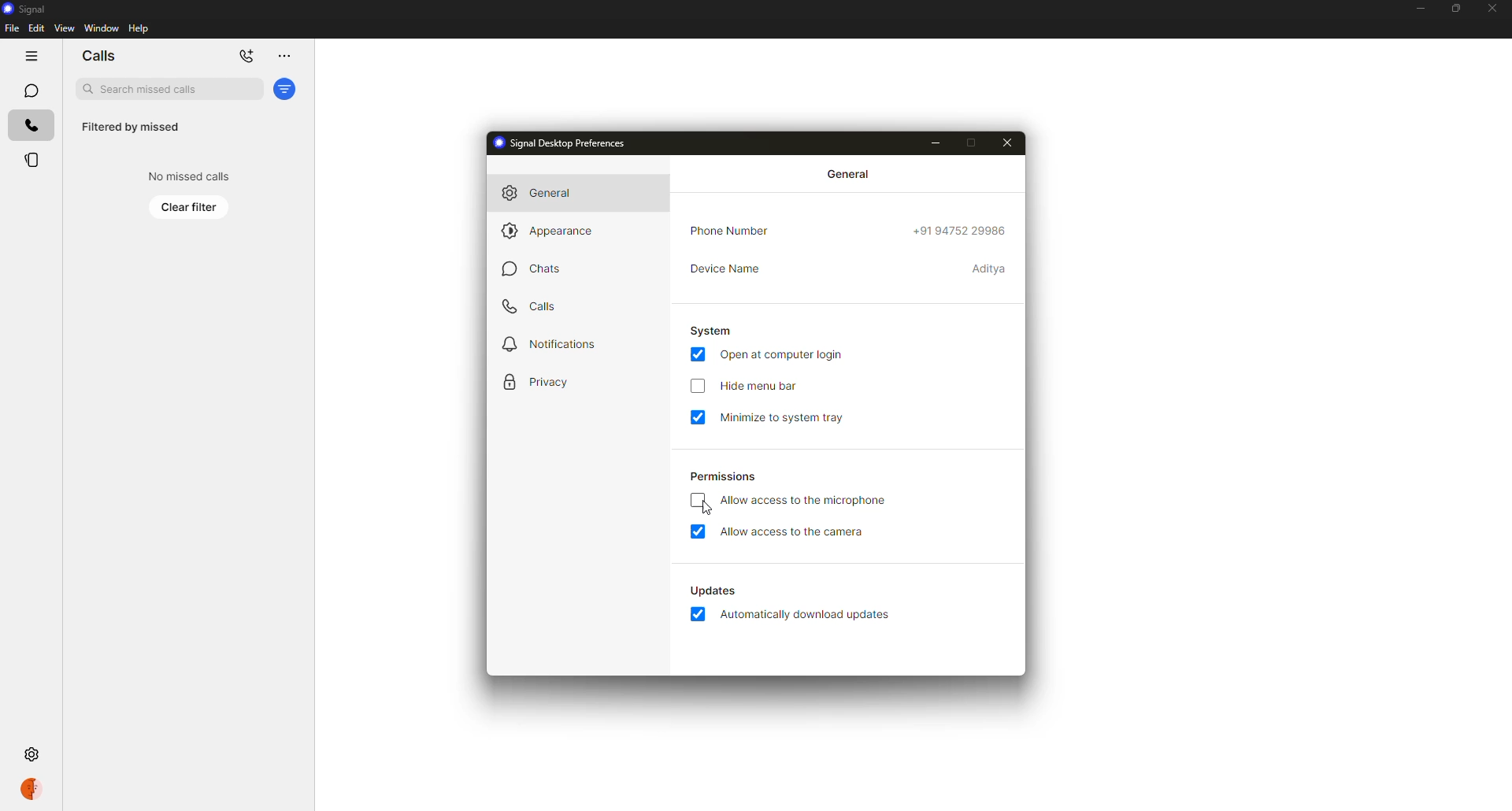 The height and width of the screenshot is (811, 1512). Describe the element at coordinates (283, 56) in the screenshot. I see `more` at that location.